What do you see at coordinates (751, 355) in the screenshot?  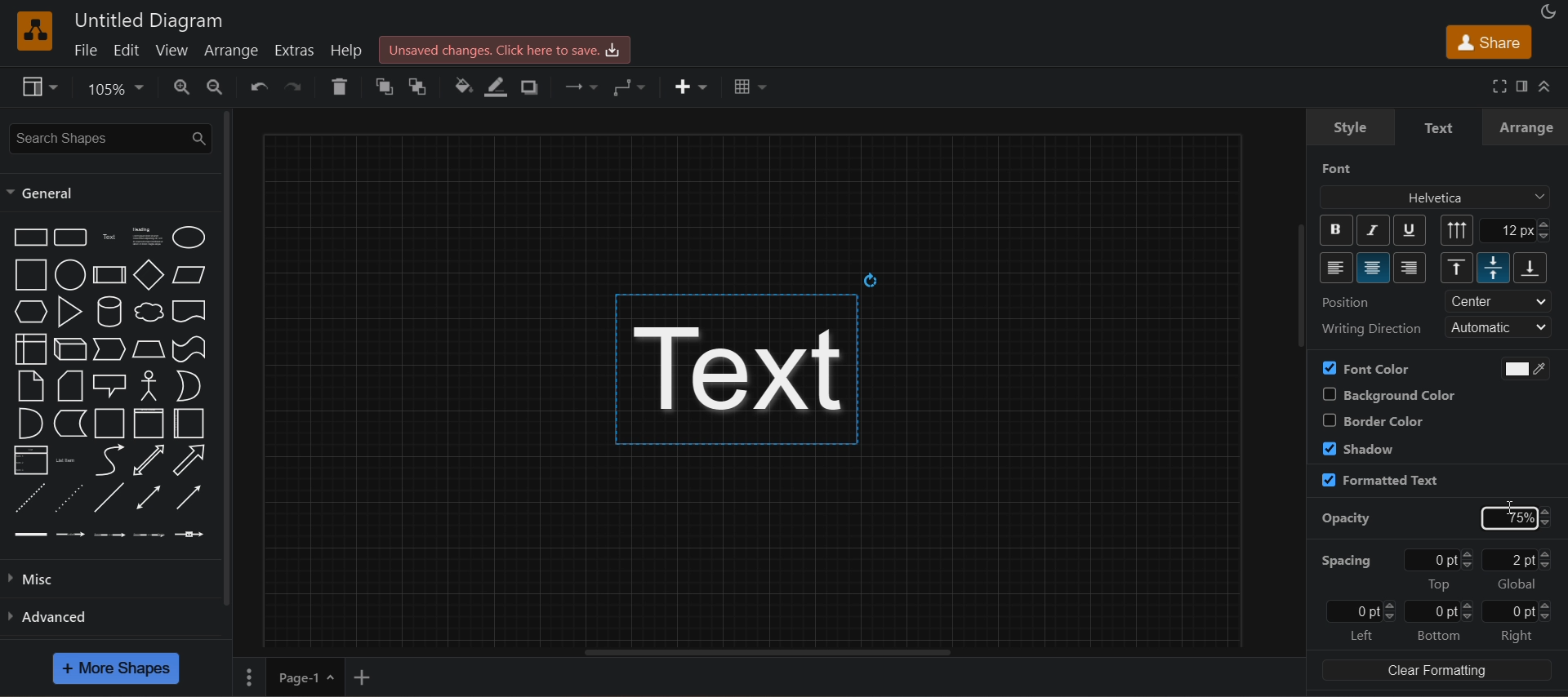 I see `text` at bounding box center [751, 355].